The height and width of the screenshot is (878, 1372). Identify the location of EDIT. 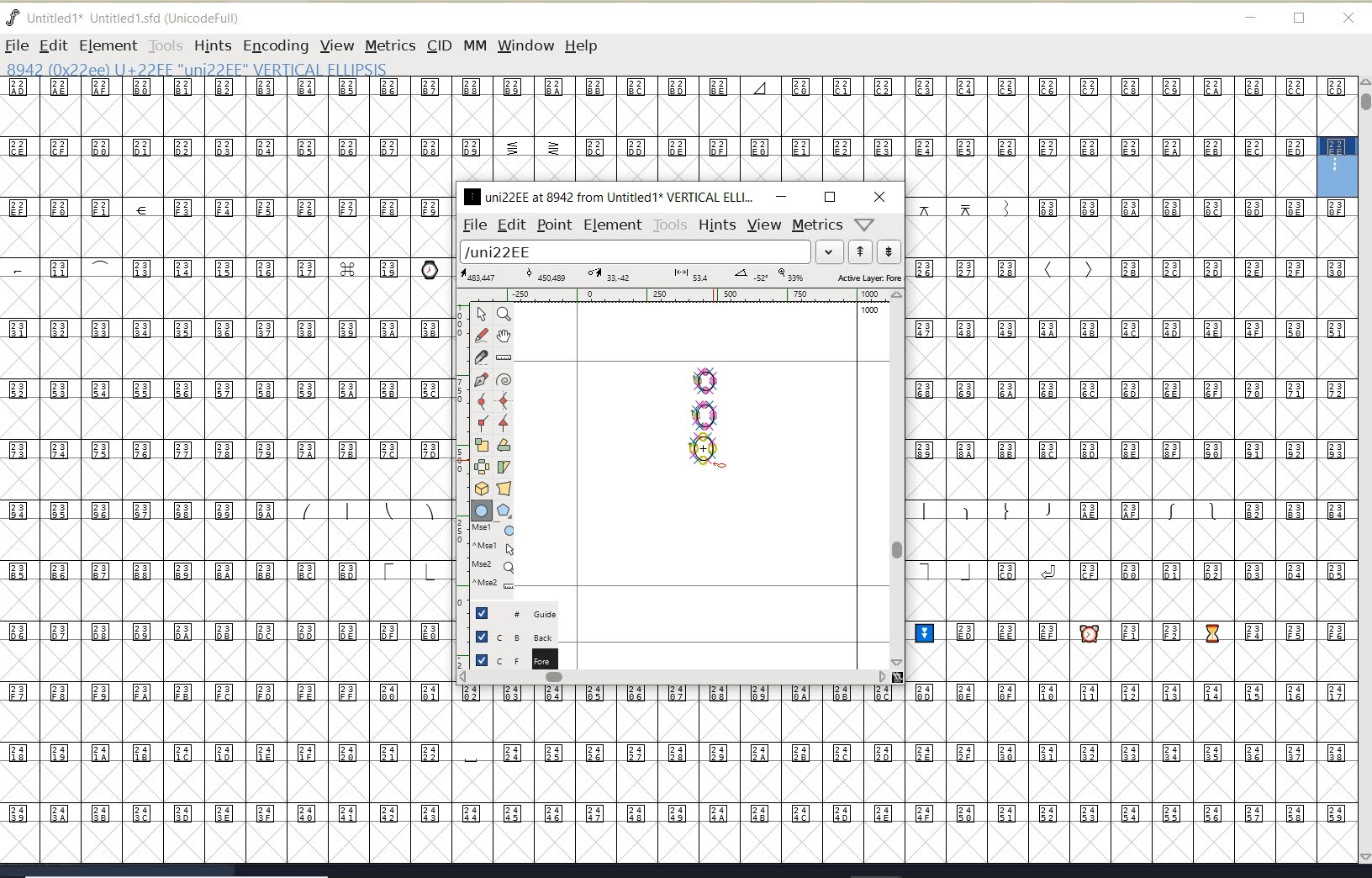
(53, 45).